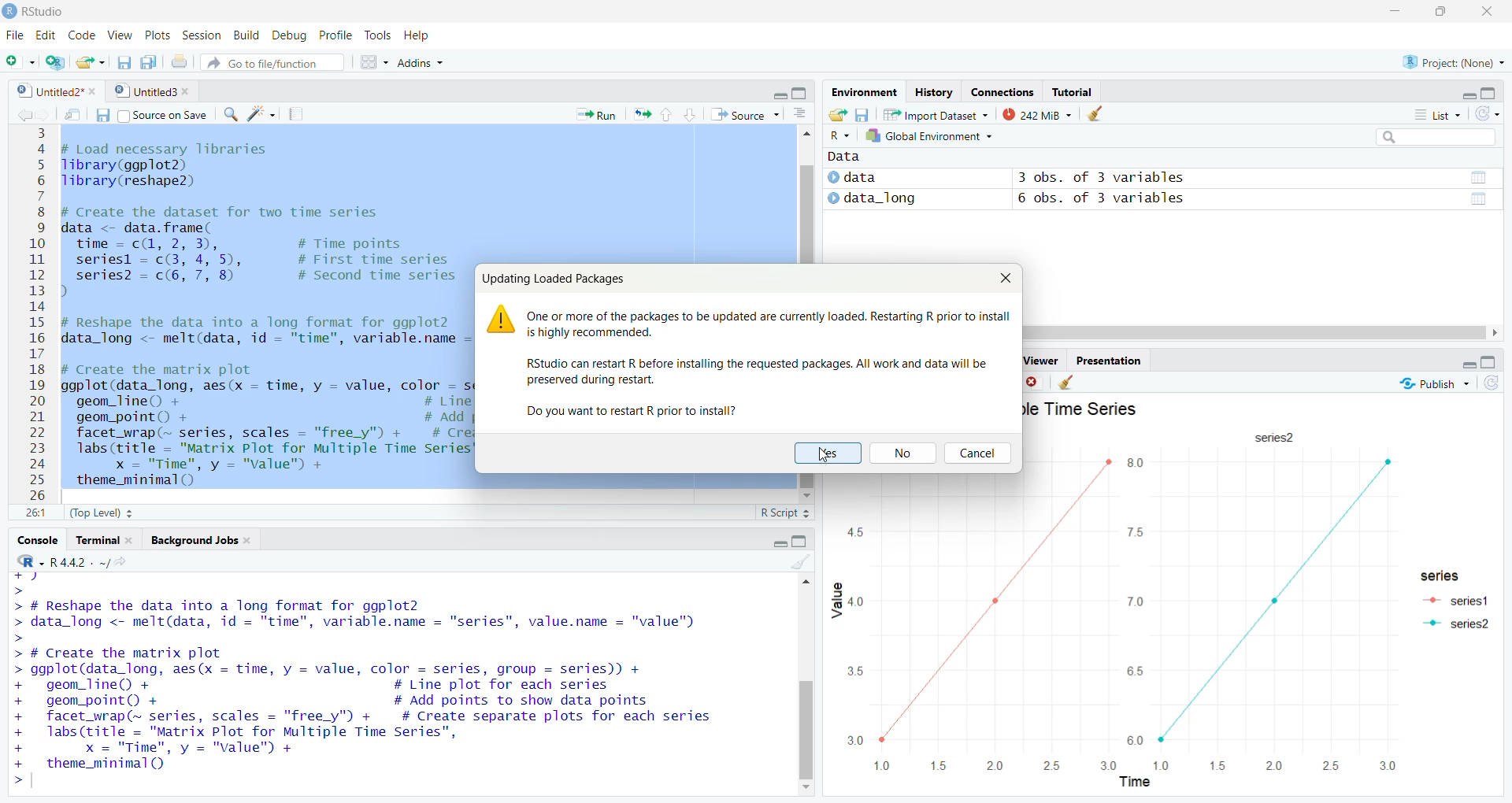  Describe the element at coordinates (20, 62) in the screenshot. I see `new file` at that location.